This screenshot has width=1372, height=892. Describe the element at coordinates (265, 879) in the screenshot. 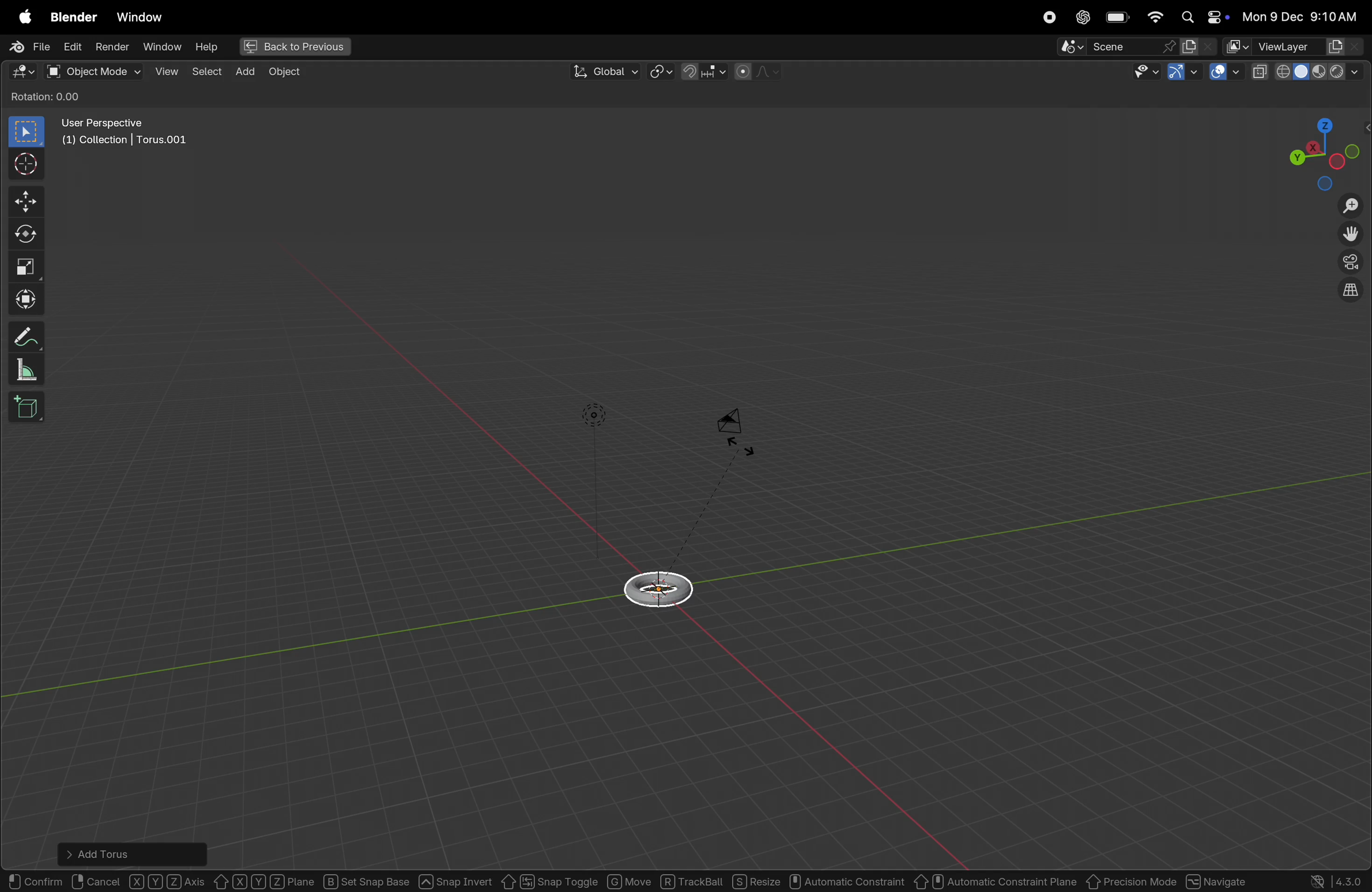

I see `xyz plane` at that location.